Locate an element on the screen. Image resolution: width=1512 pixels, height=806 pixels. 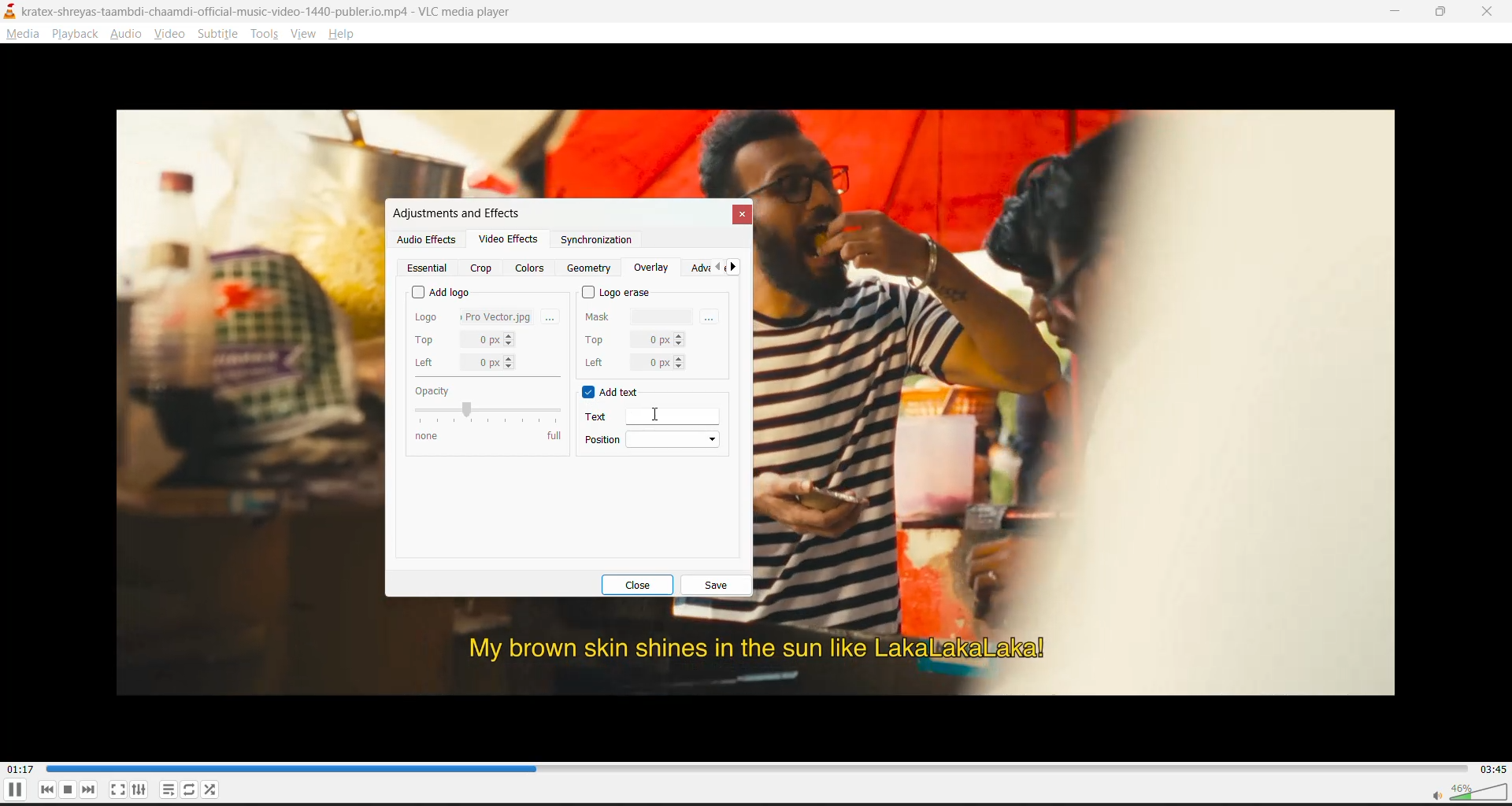
full screen is located at coordinates (118, 789).